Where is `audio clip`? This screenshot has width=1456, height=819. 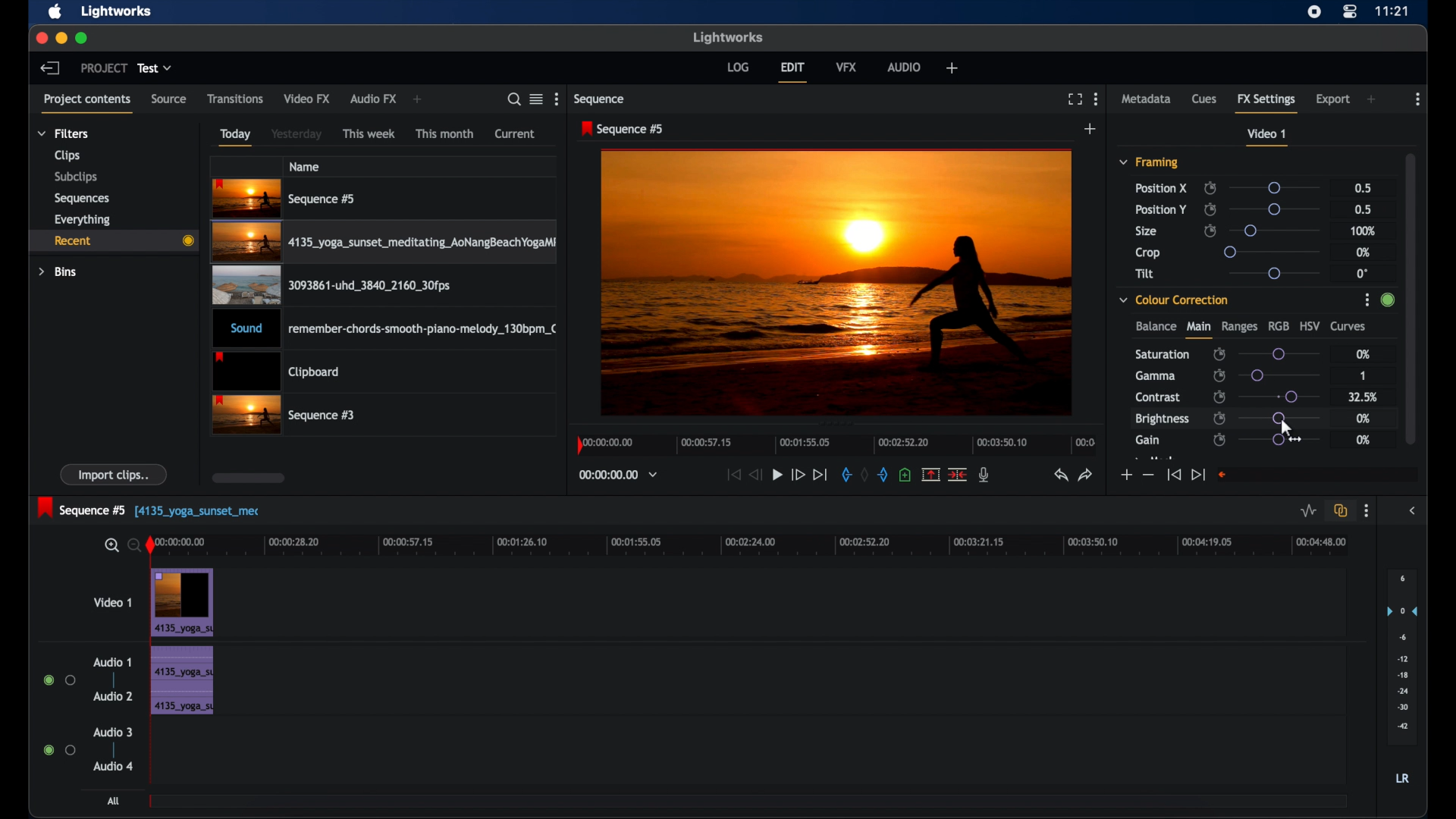
audio clip is located at coordinates (181, 682).